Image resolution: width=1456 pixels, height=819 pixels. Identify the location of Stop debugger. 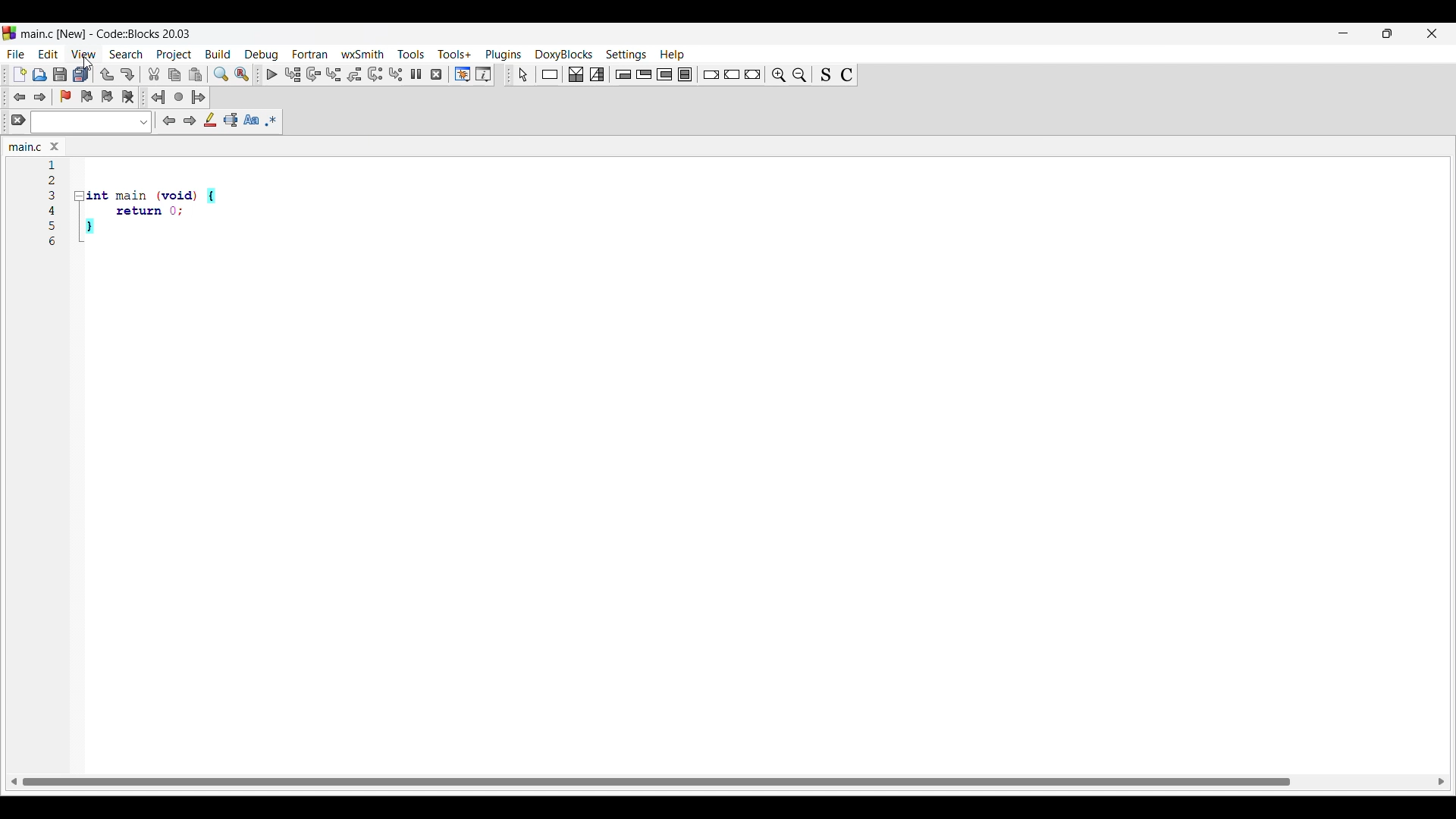
(436, 74).